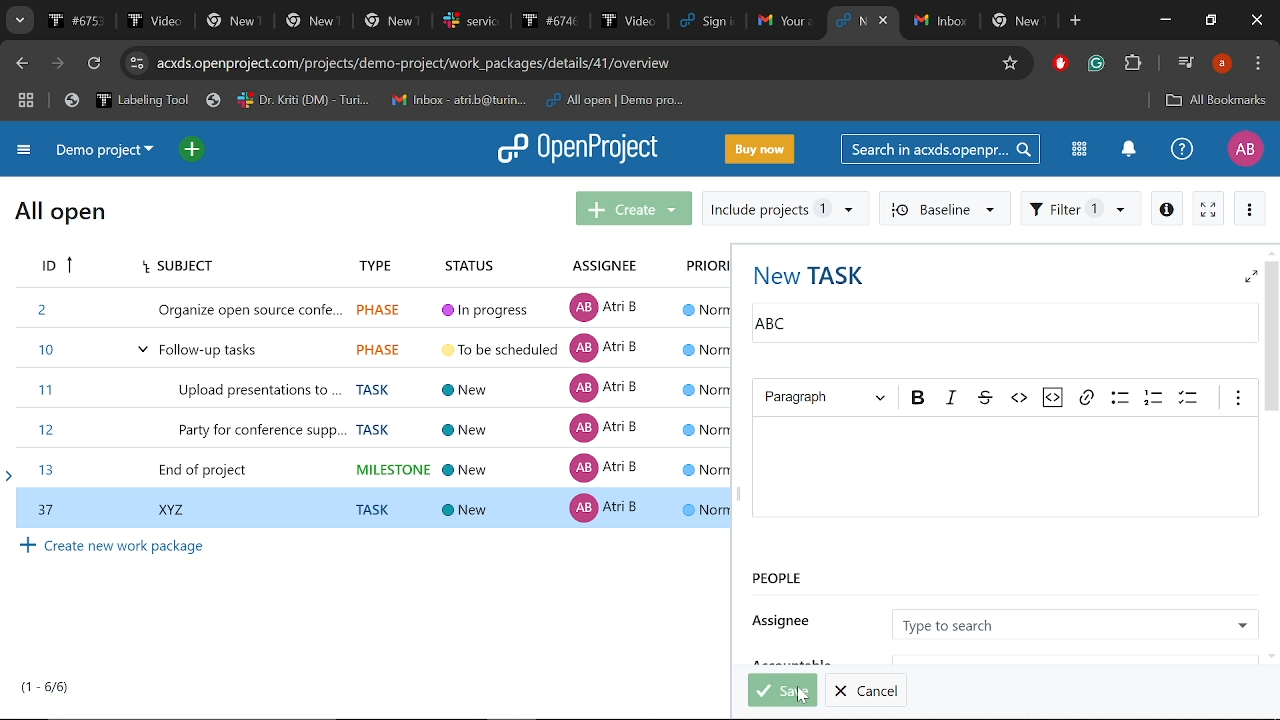  What do you see at coordinates (1258, 64) in the screenshot?
I see `Customize and control chrome` at bounding box center [1258, 64].